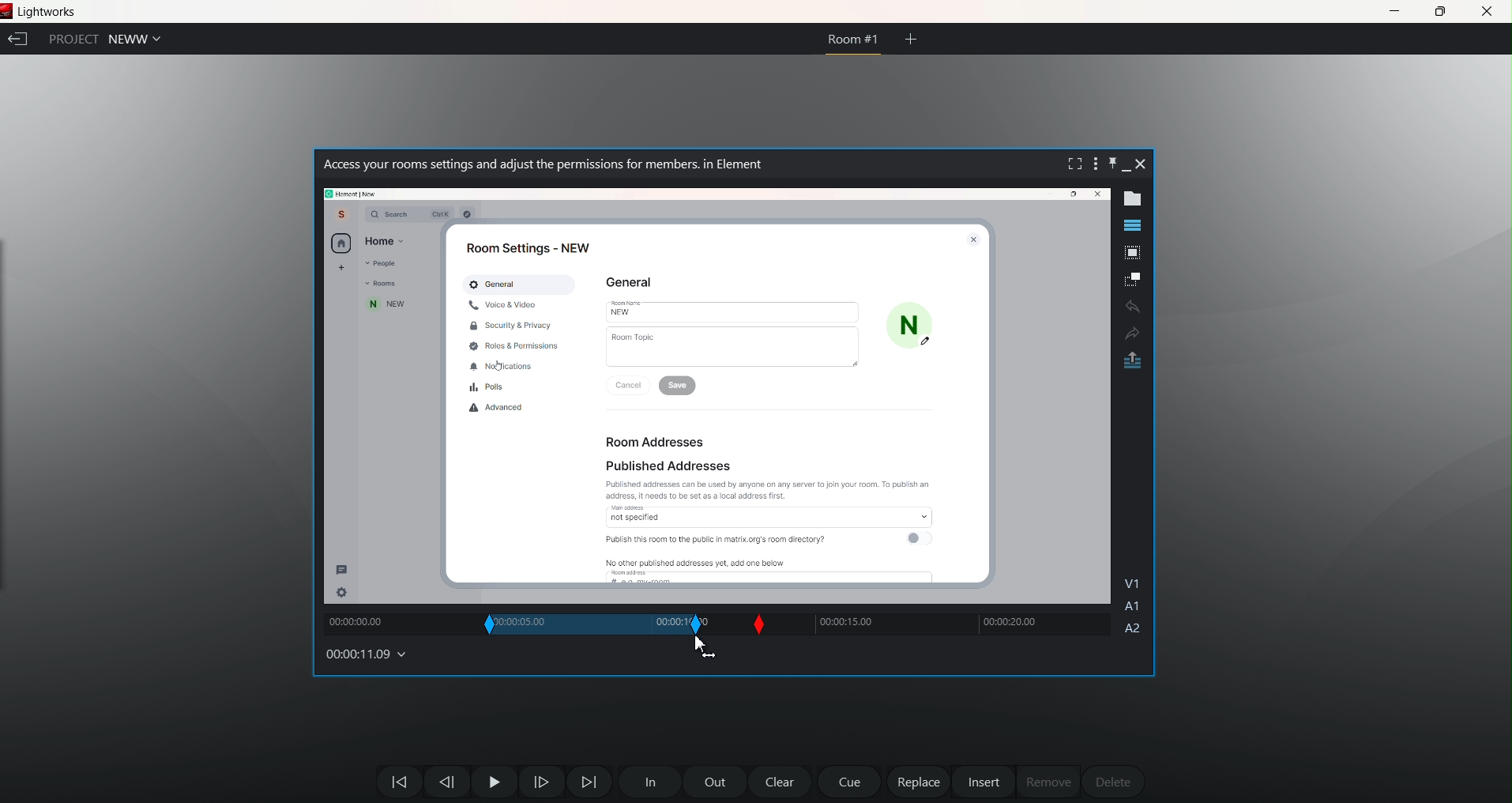 This screenshot has width=1512, height=803. Describe the element at coordinates (631, 625) in the screenshot. I see `out slip` at that location.